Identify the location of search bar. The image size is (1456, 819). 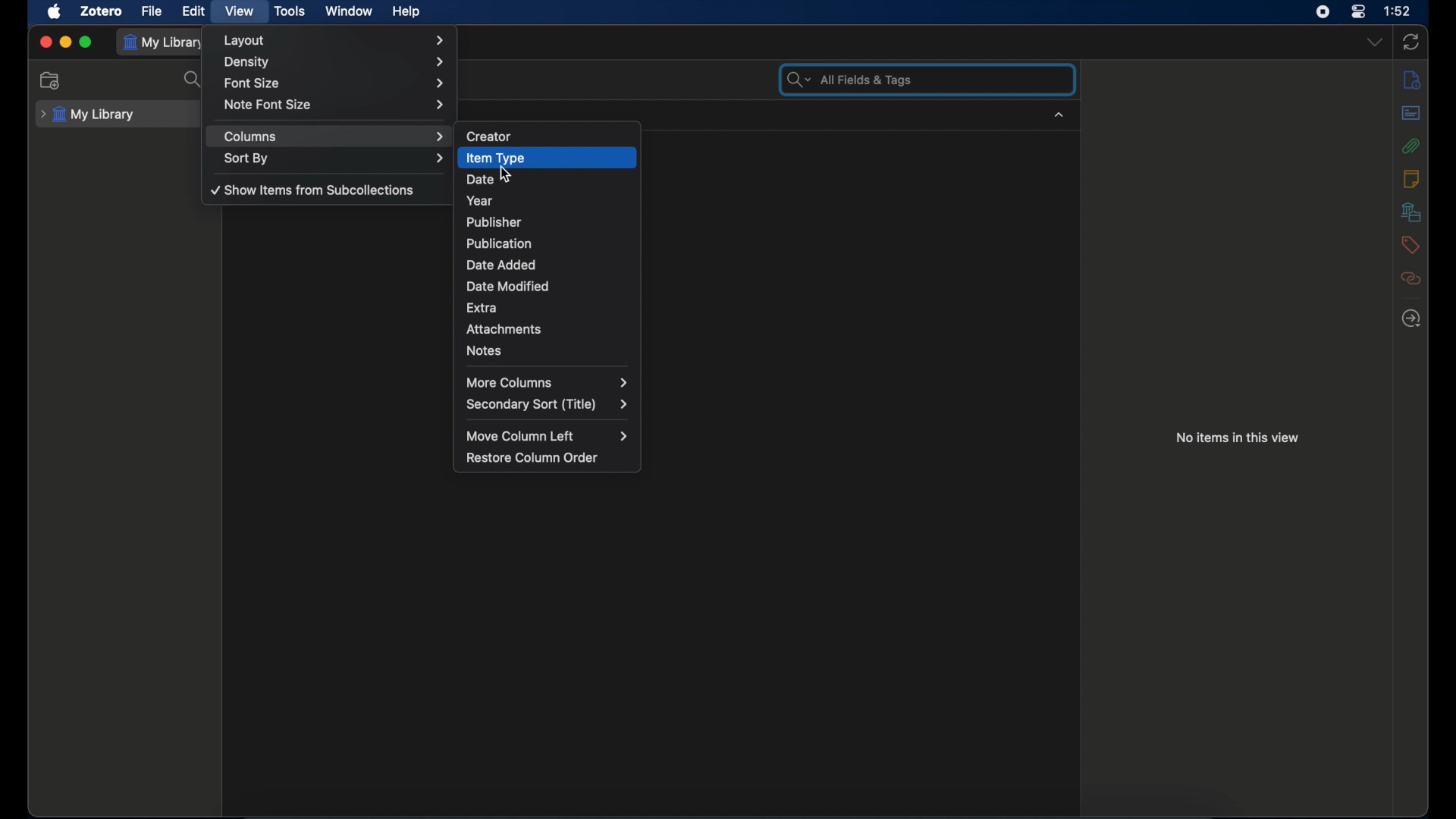
(852, 80).